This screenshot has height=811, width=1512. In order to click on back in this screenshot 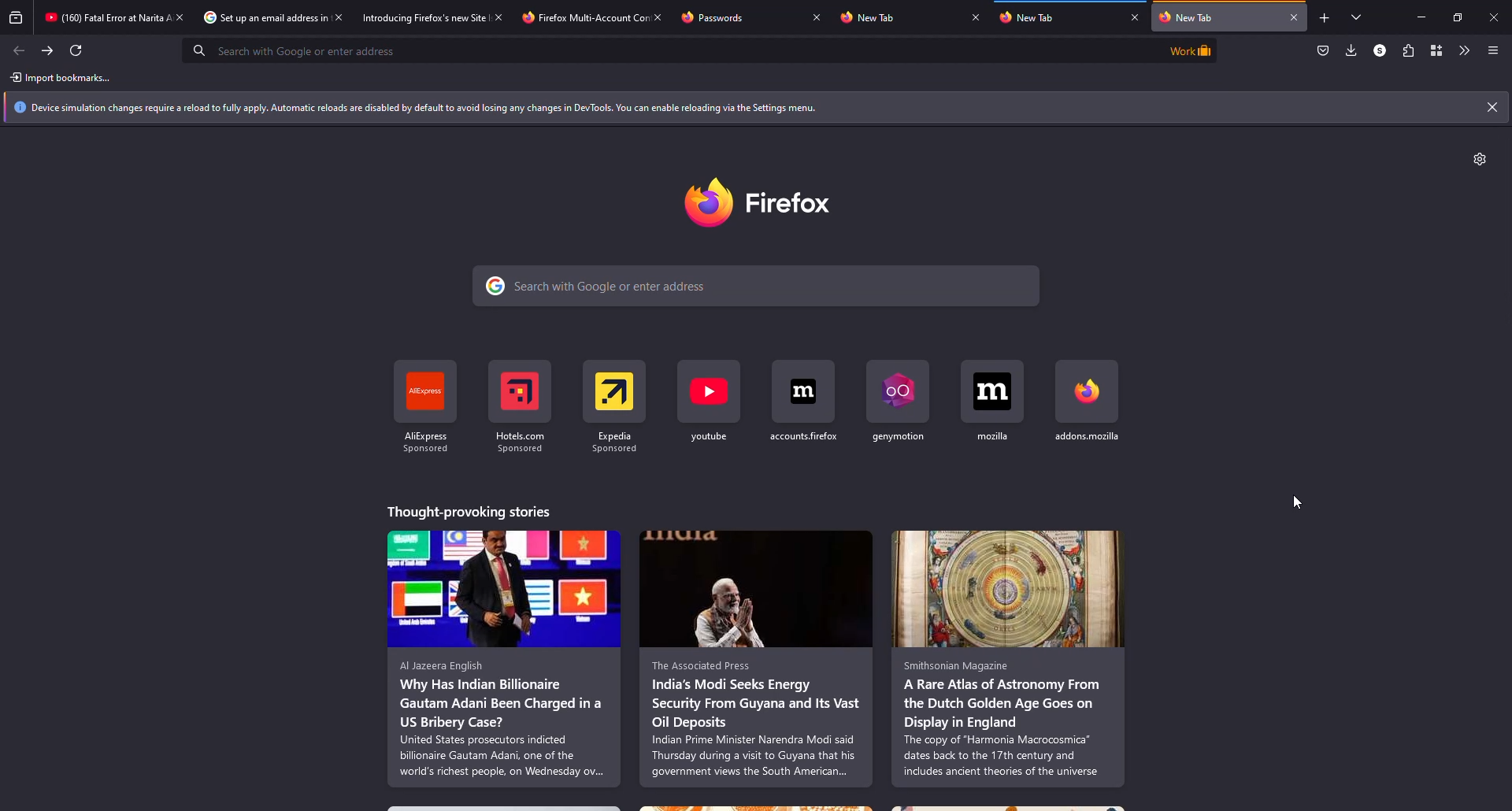, I will do `click(20, 50)`.